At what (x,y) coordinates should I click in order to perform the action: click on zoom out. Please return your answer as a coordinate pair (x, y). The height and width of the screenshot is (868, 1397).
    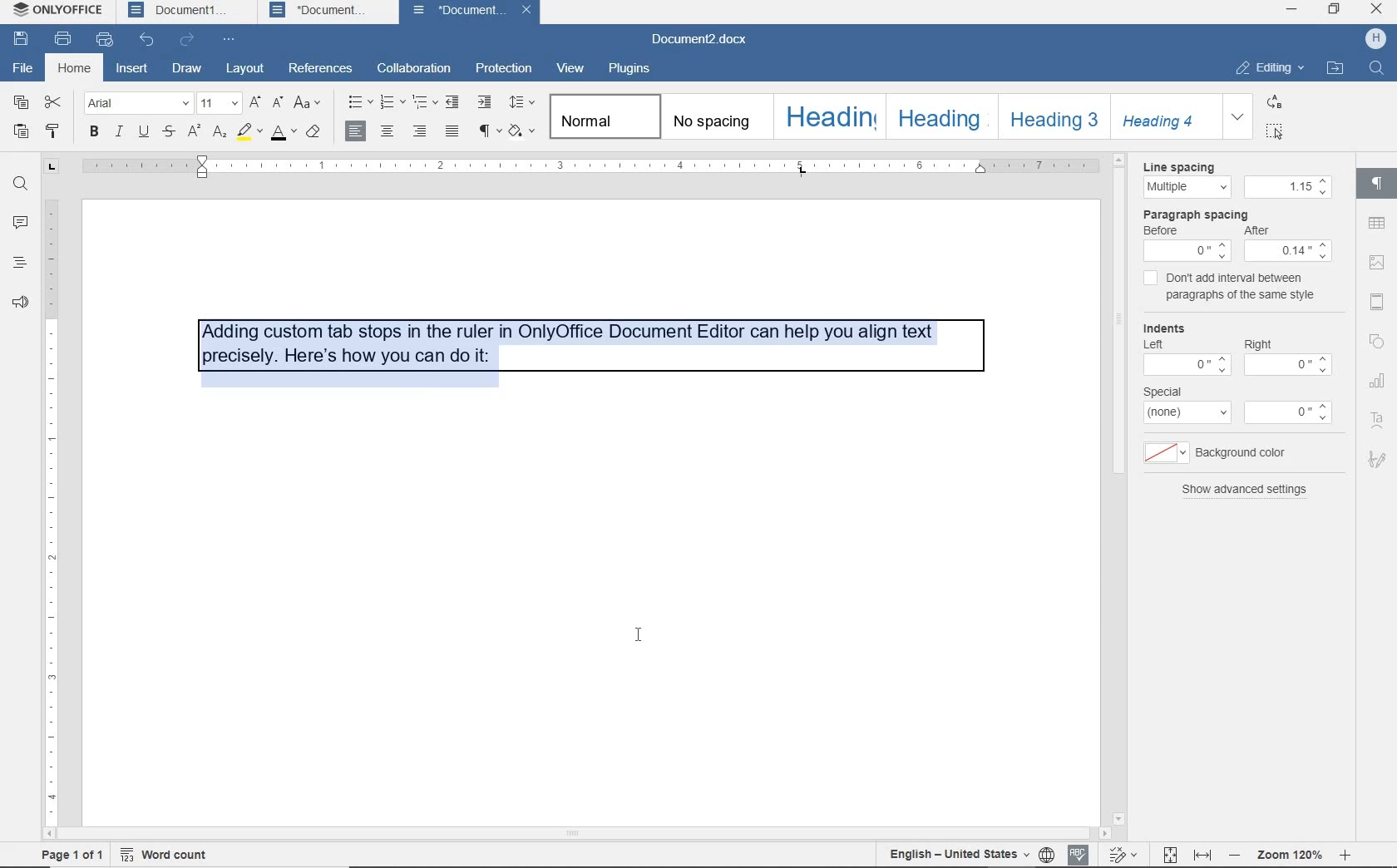
    Looking at the image, I should click on (1234, 857).